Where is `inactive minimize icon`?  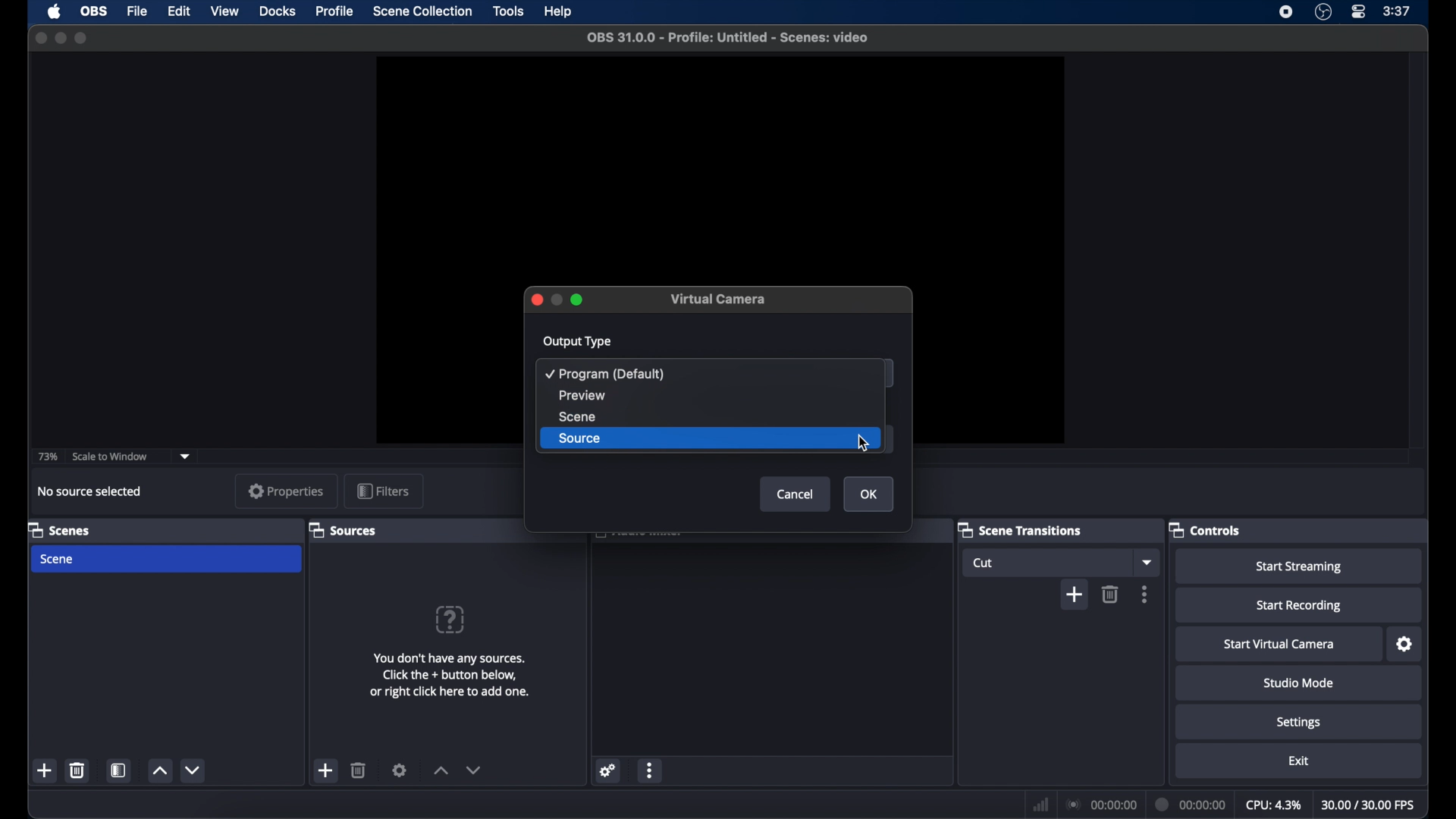 inactive minimize icon is located at coordinates (557, 300).